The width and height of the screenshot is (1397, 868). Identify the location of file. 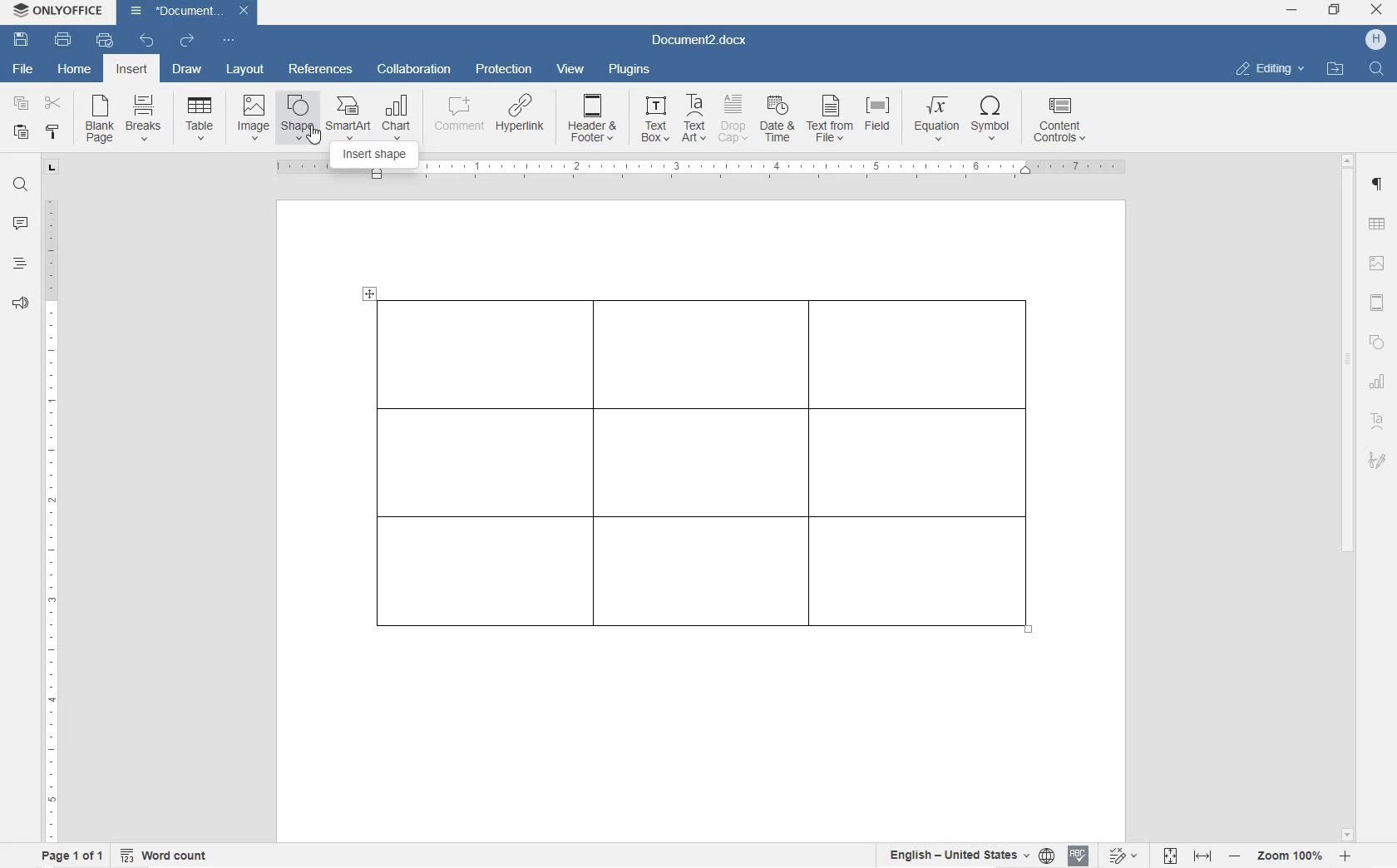
(26, 71).